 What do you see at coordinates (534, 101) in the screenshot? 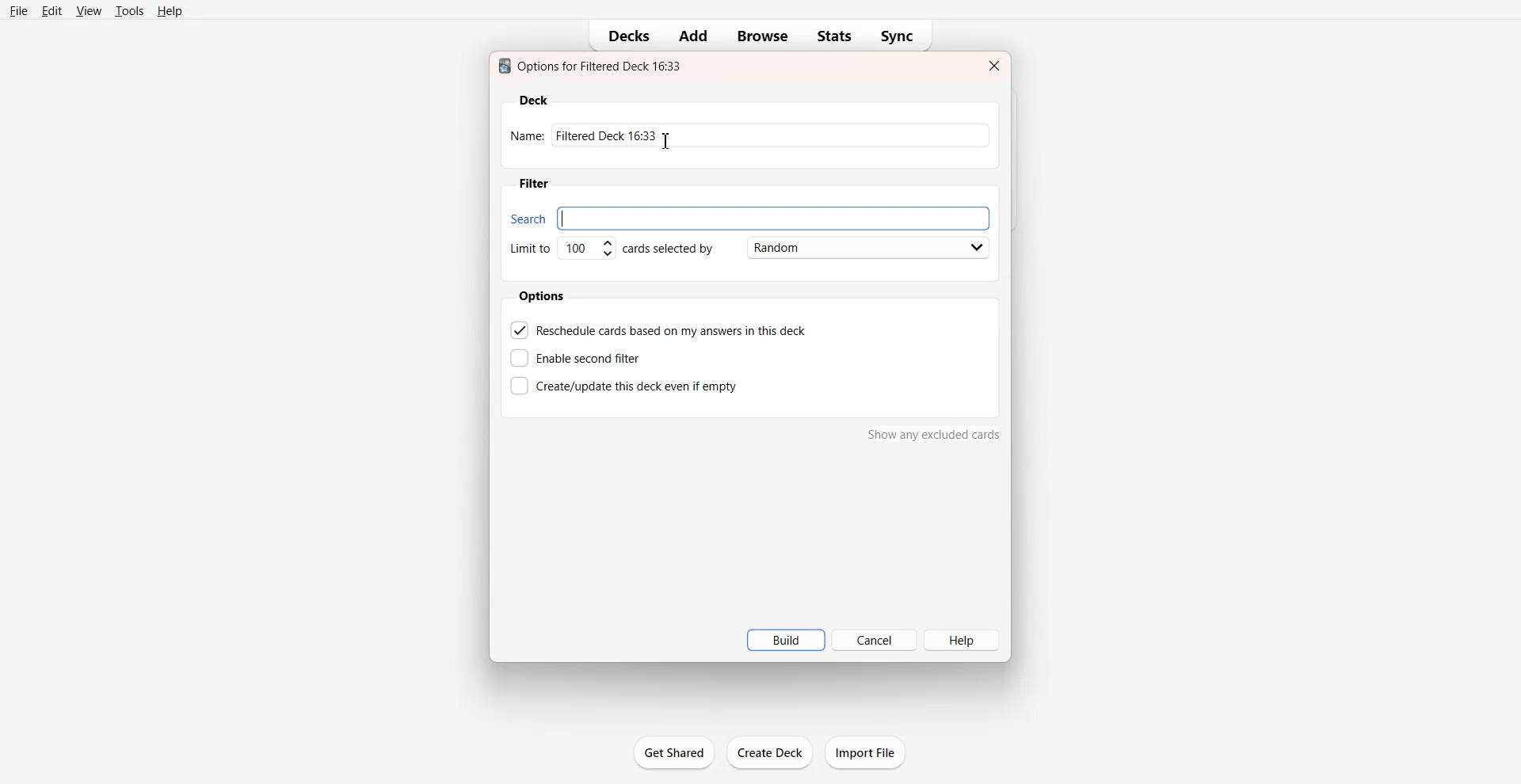
I see `Deck` at bounding box center [534, 101].